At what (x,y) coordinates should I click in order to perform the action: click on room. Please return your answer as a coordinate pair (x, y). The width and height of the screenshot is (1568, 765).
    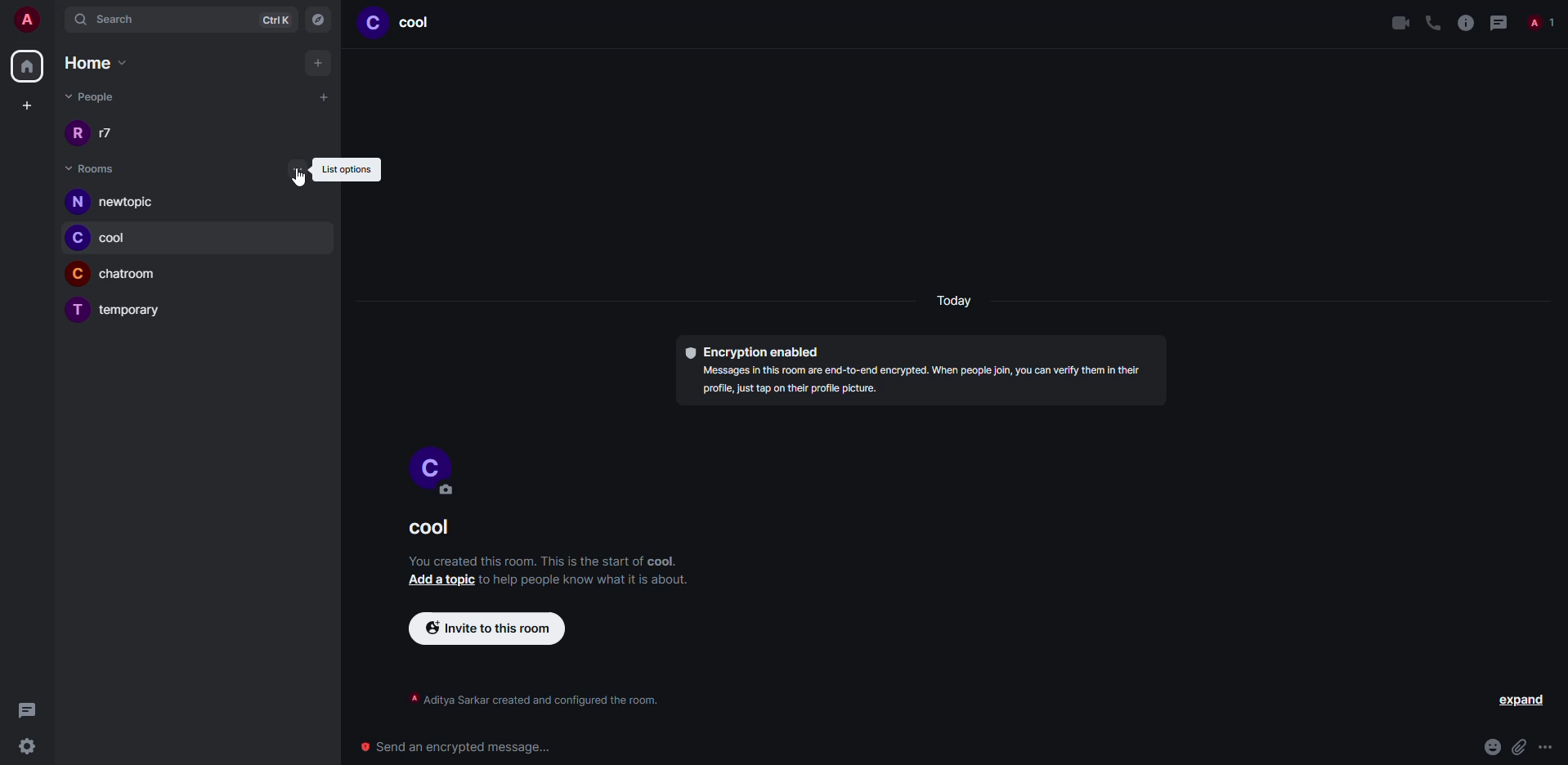
    Looking at the image, I should click on (114, 235).